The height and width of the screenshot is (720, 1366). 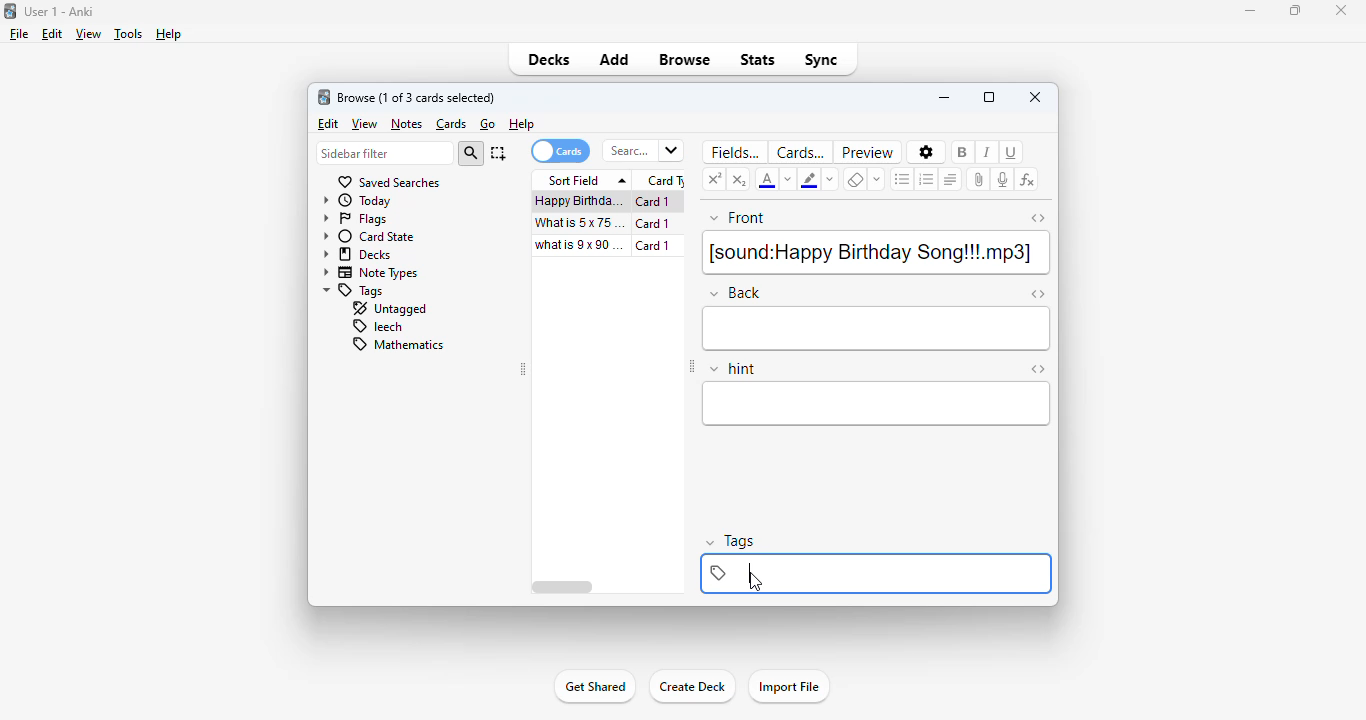 I want to click on cards, so click(x=452, y=125).